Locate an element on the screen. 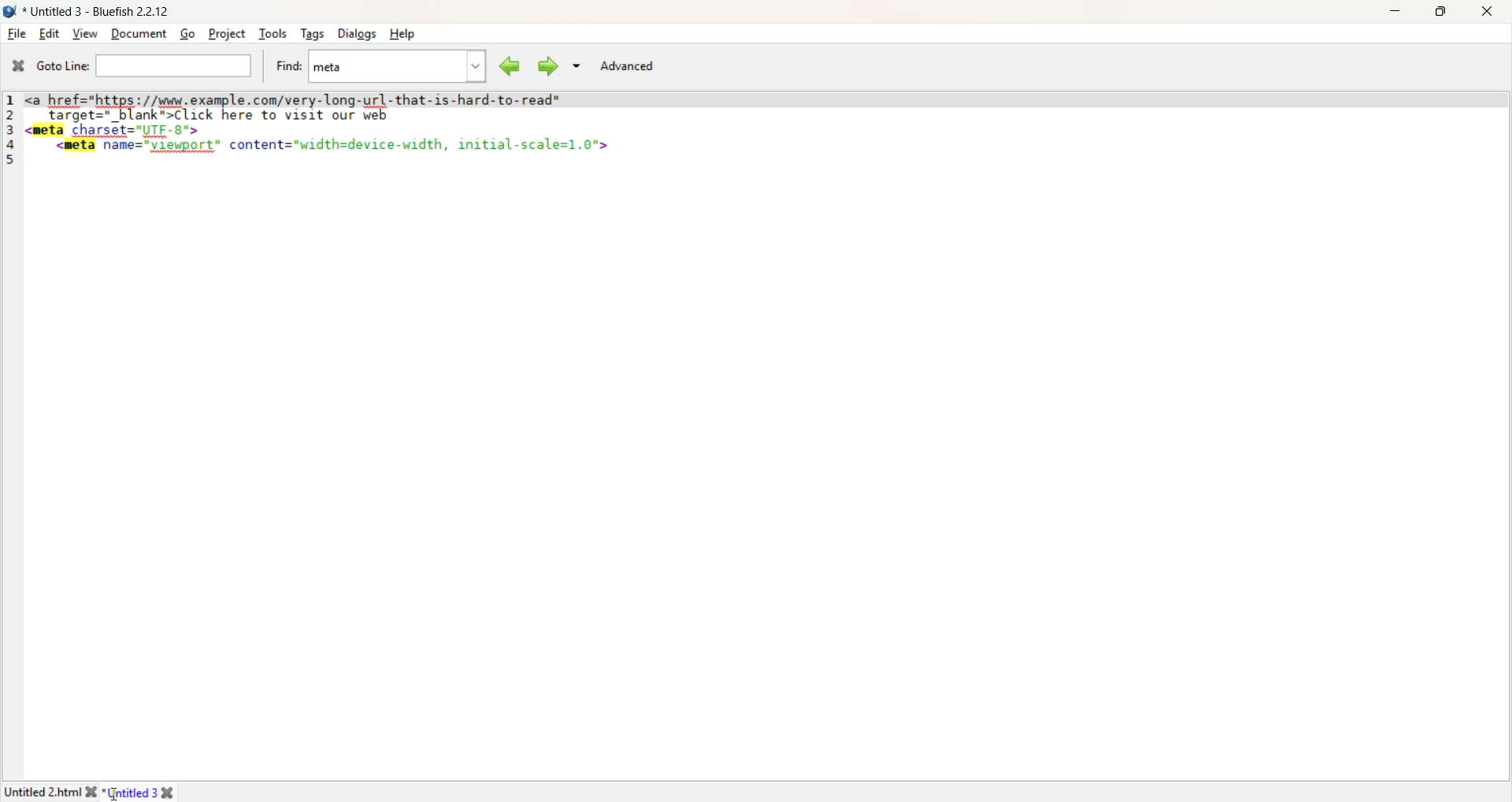  Goto Line: is located at coordinates (61, 67).